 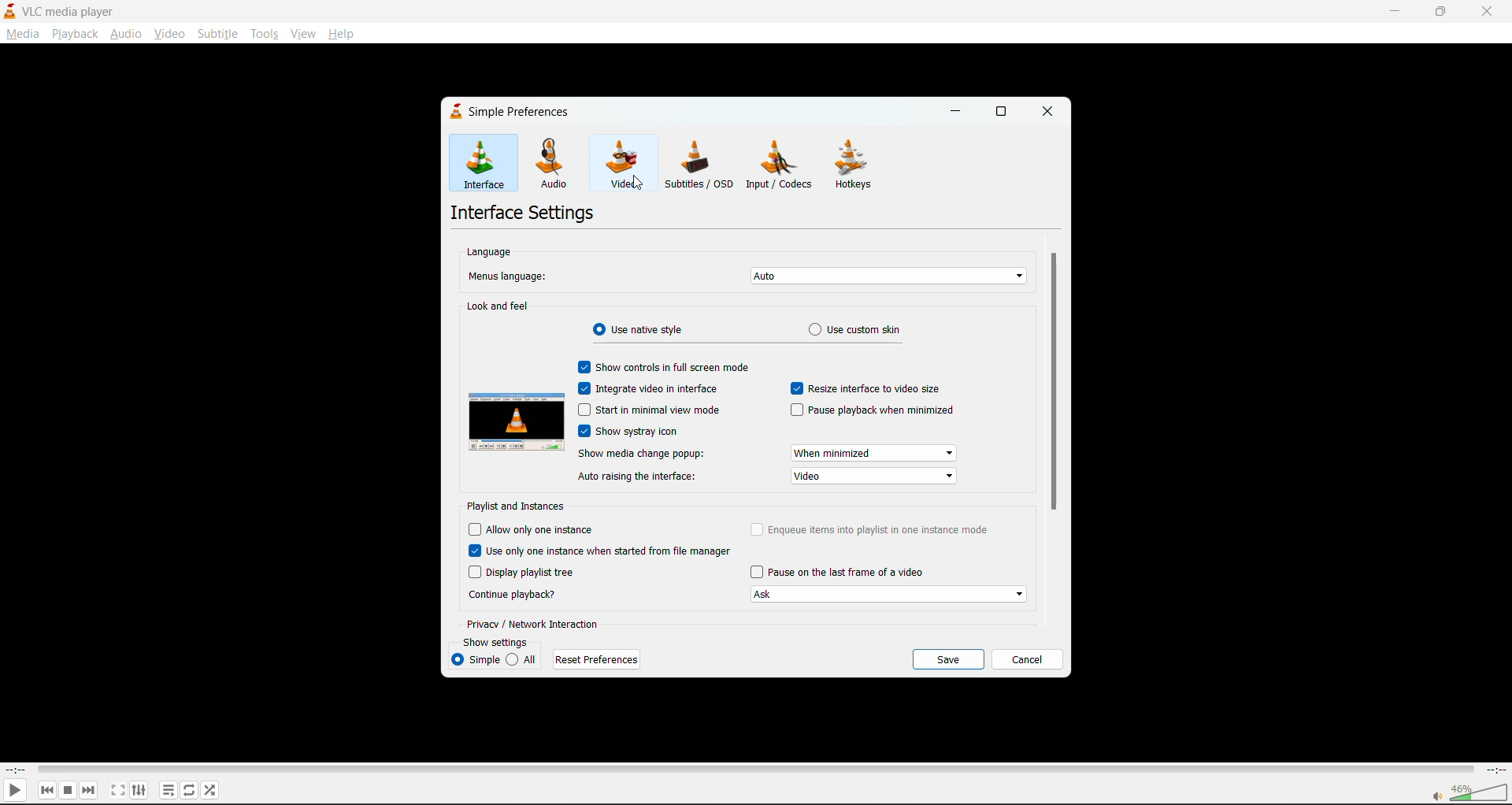 I want to click on maximize, so click(x=1441, y=10).